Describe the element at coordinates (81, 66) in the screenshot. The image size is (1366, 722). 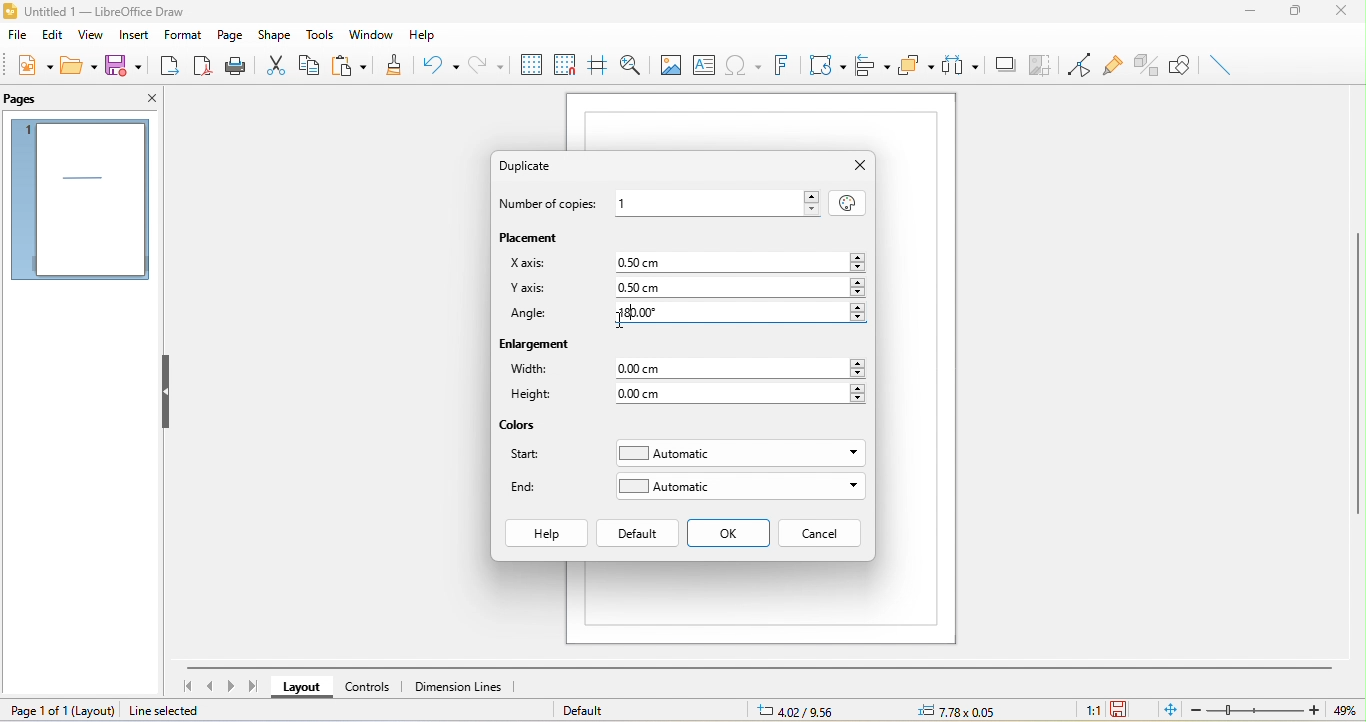
I see `open` at that location.